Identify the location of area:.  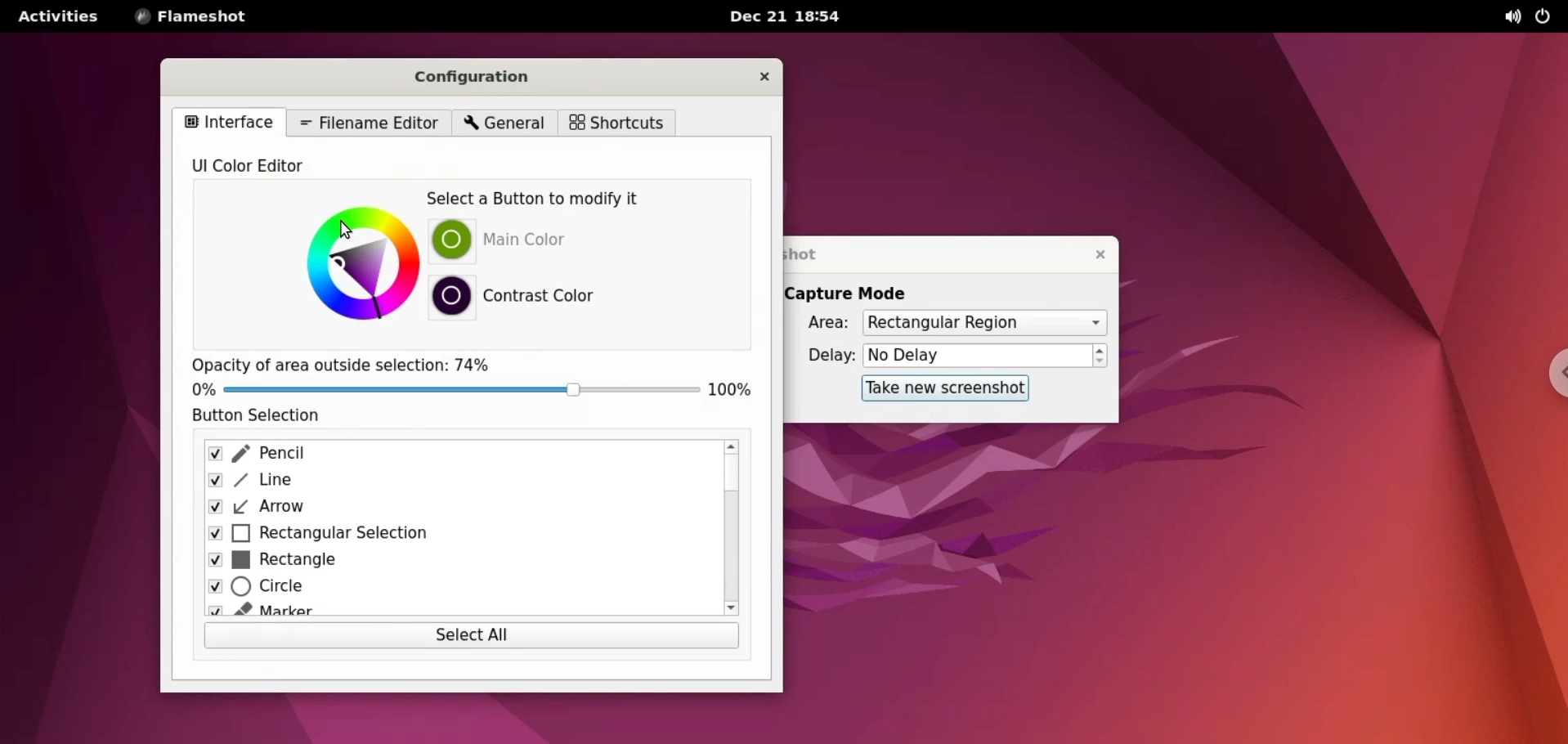
(824, 324).